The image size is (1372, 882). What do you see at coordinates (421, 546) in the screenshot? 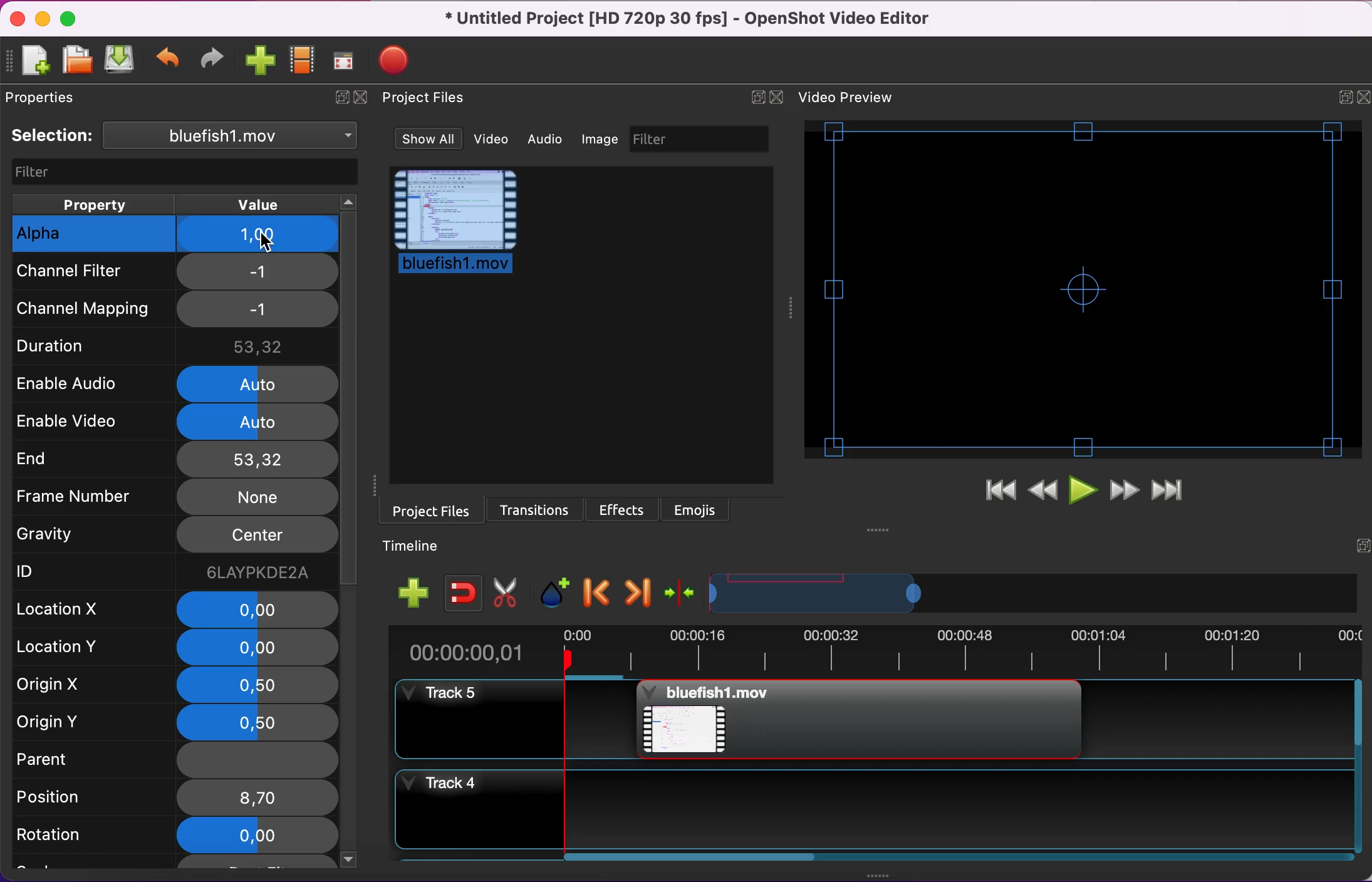
I see `timeline` at bounding box center [421, 546].